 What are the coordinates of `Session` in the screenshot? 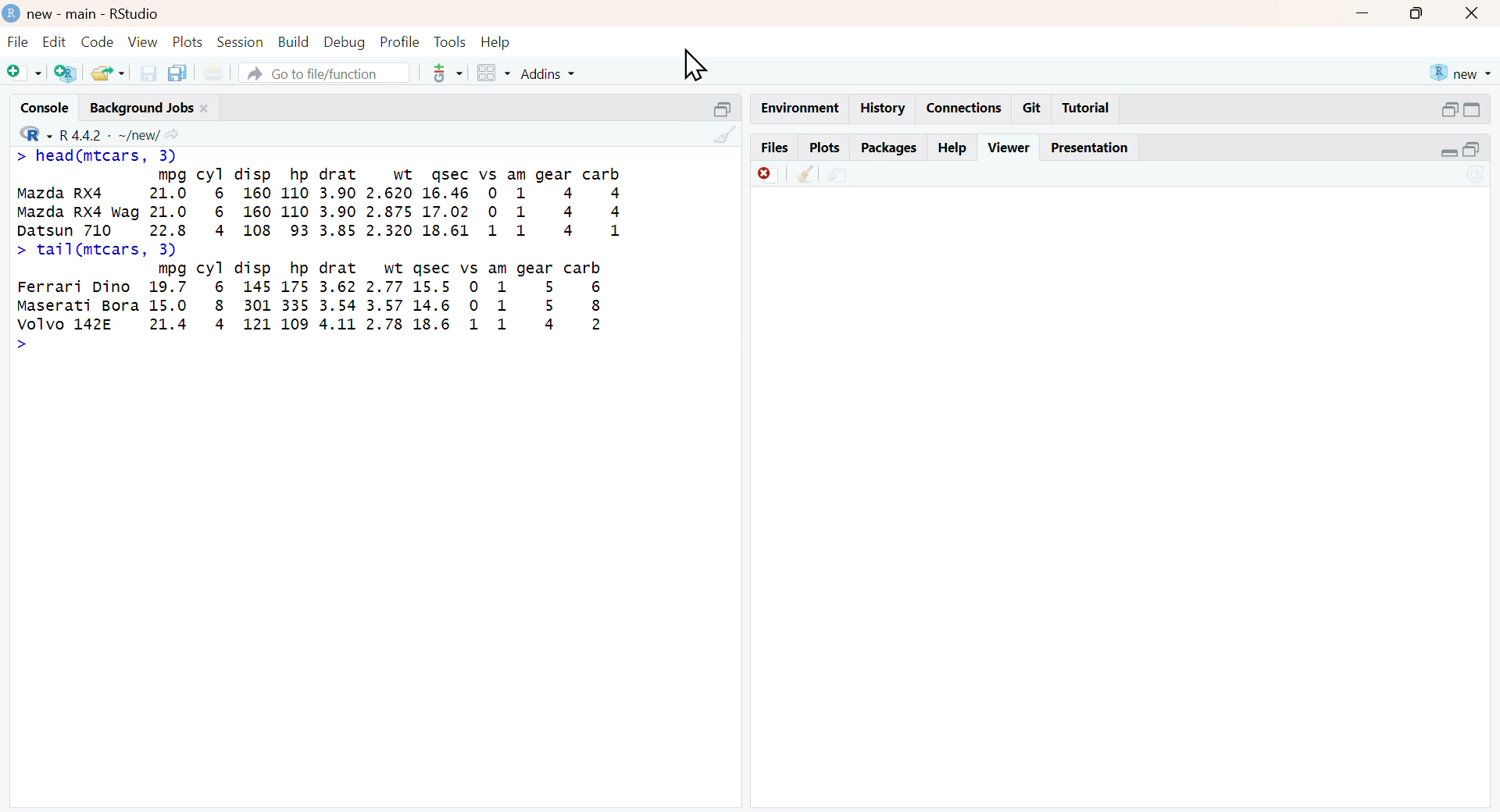 It's located at (240, 42).